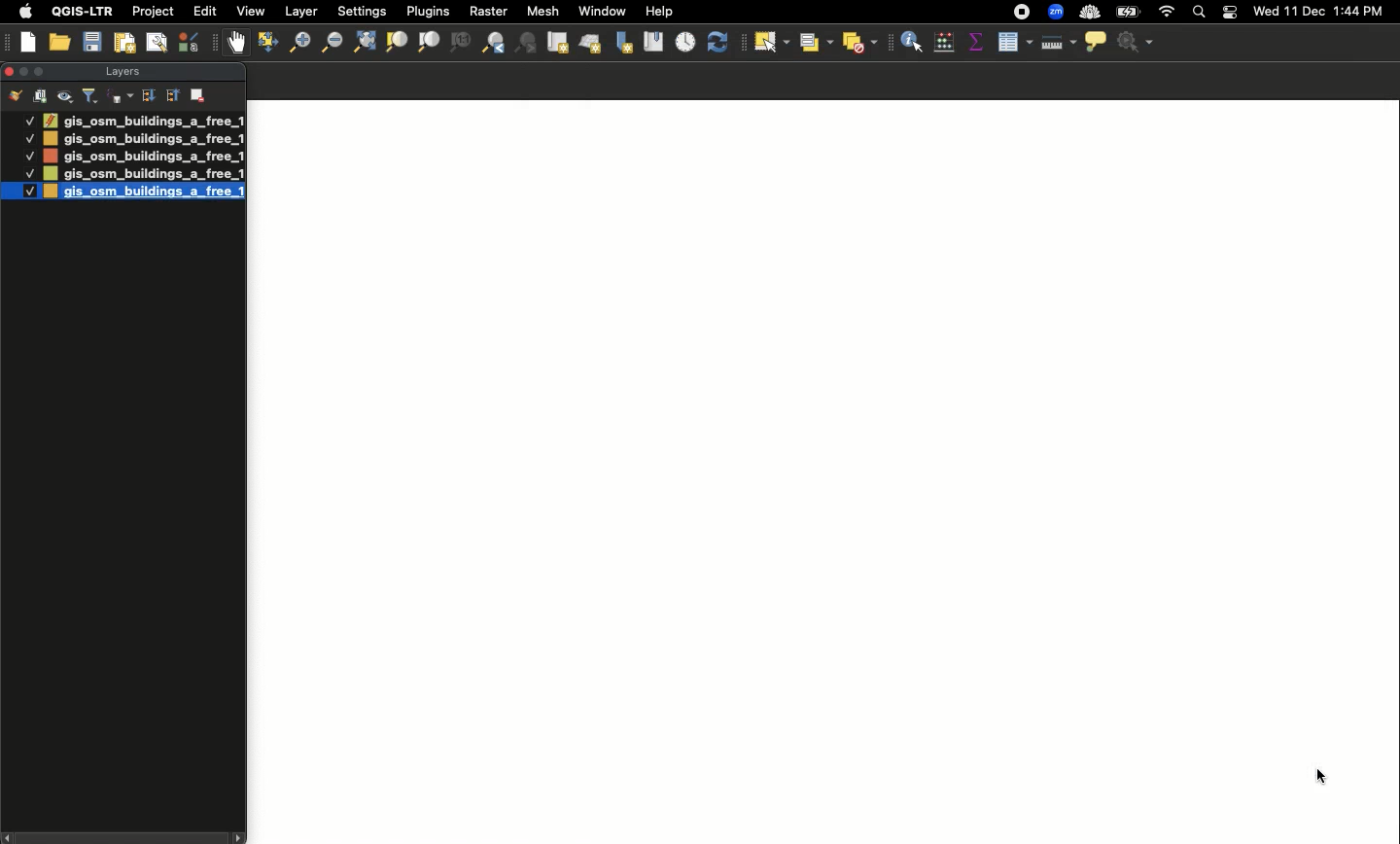  I want to click on Remove, so click(199, 93).